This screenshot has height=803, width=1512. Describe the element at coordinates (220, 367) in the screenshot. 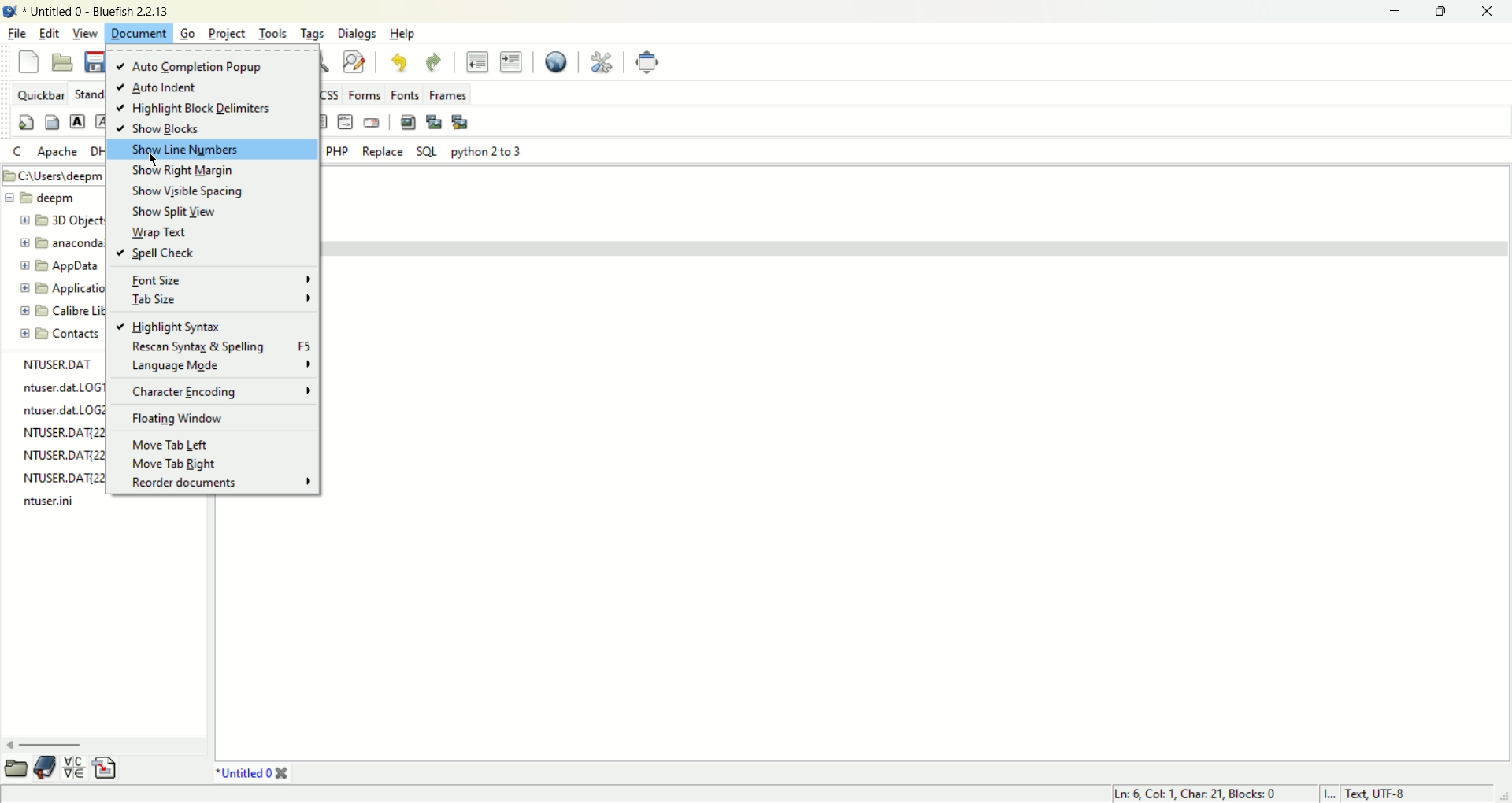

I see `language mode` at that location.